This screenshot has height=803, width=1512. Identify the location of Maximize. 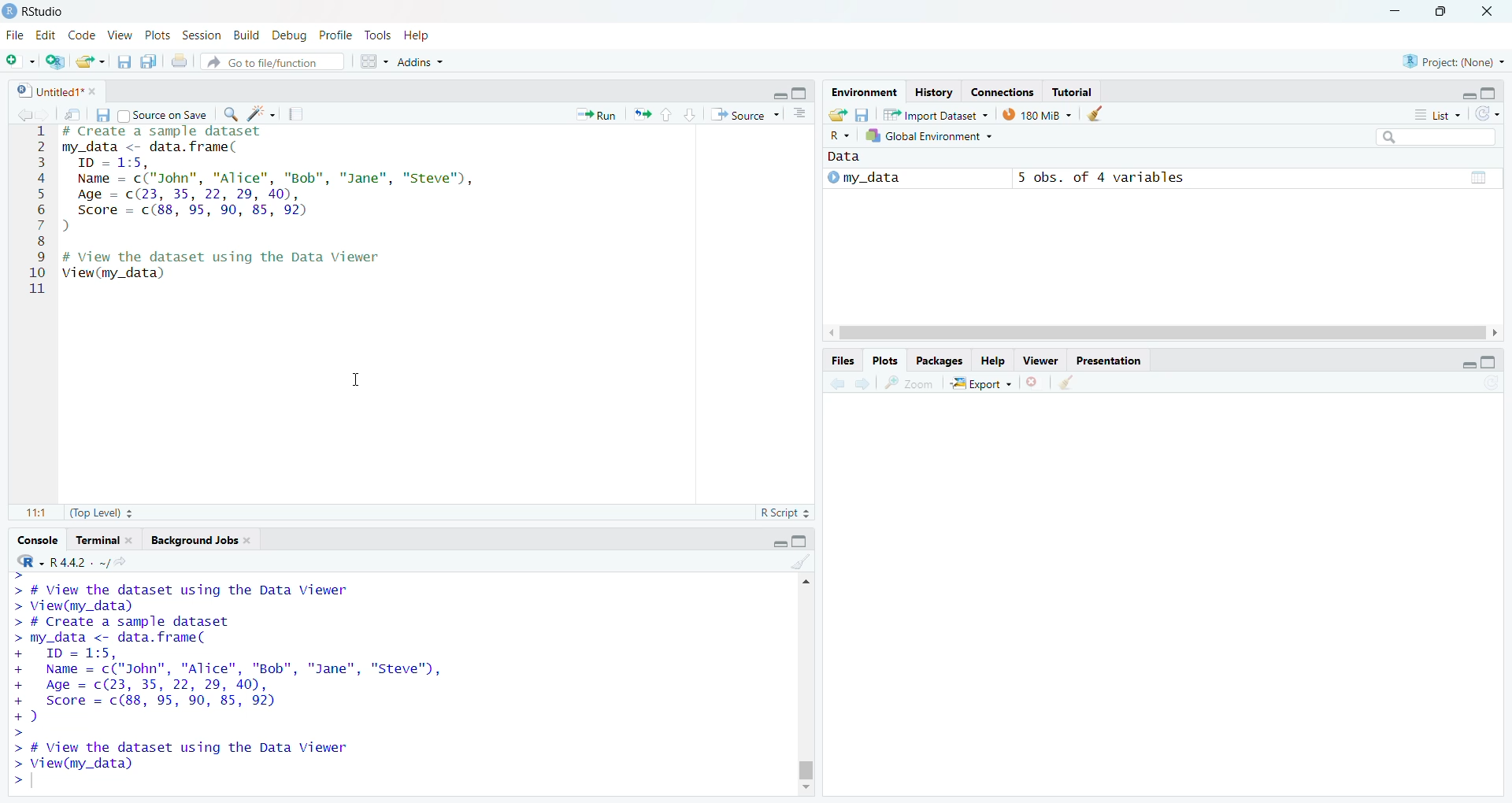
(1492, 364).